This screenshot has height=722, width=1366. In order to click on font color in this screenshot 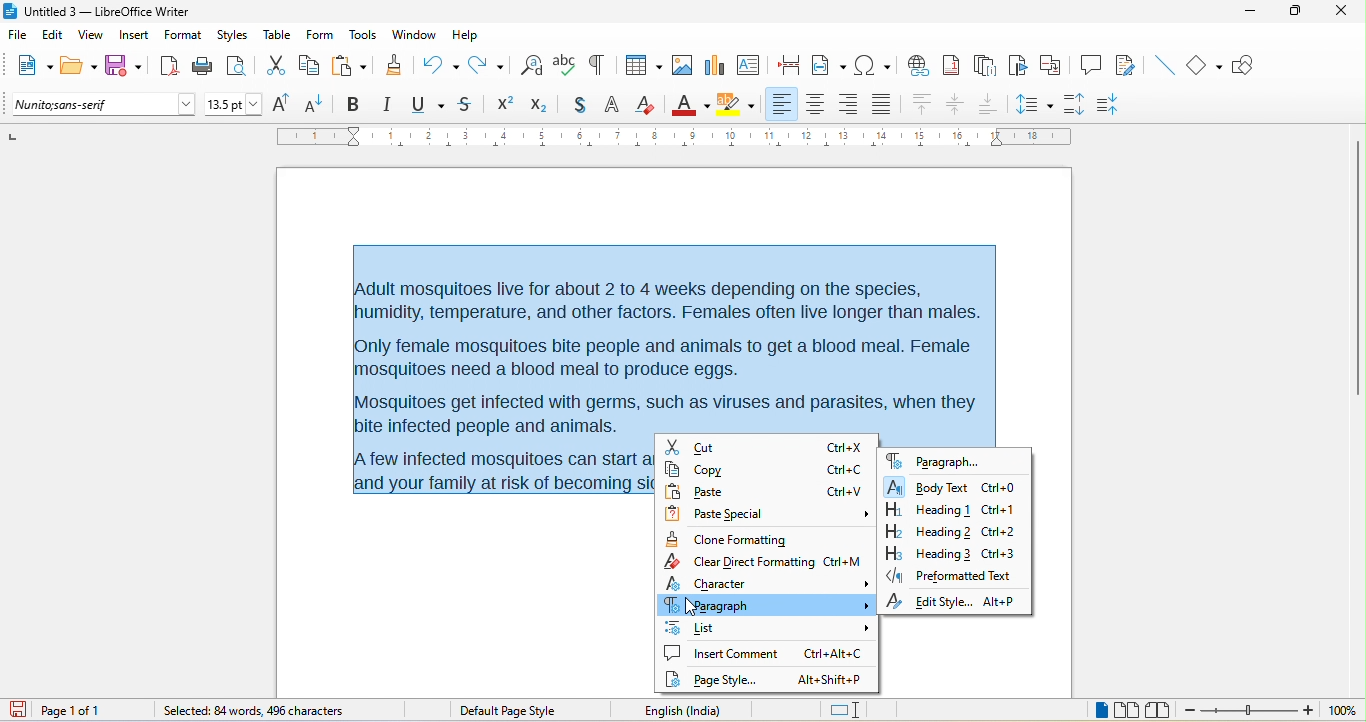, I will do `click(691, 103)`.